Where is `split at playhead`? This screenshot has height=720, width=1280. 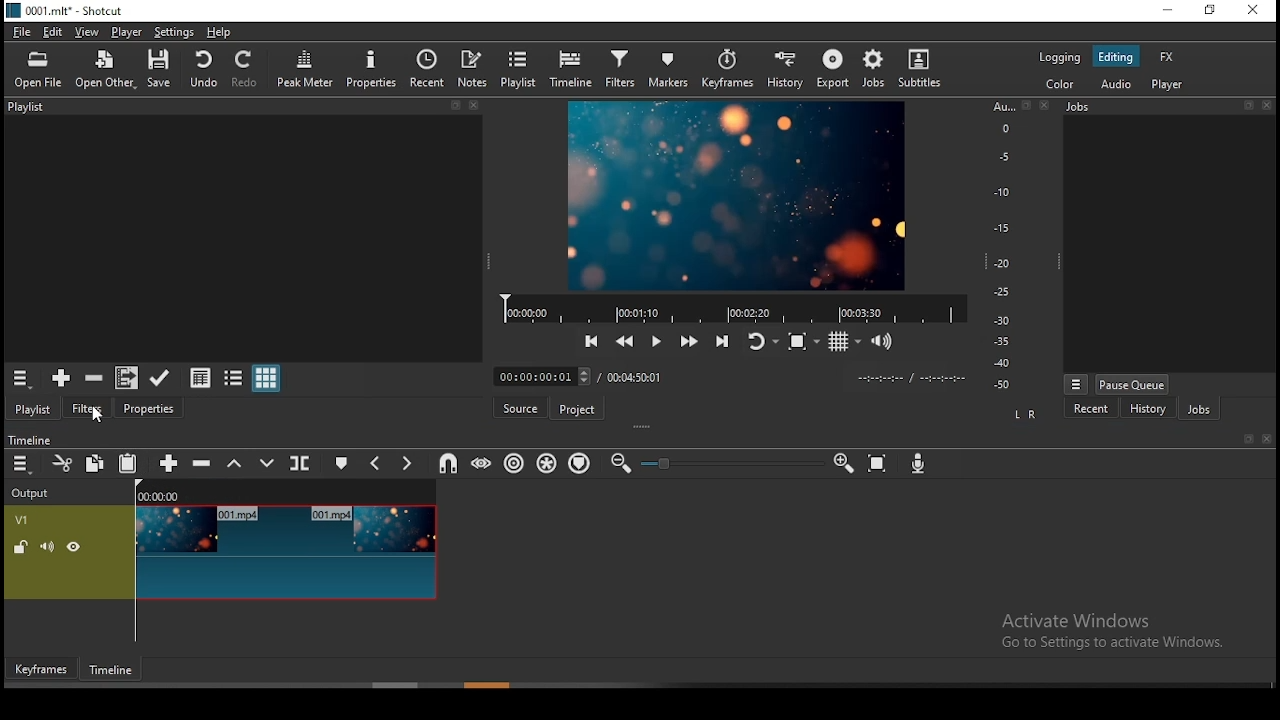
split at playhead is located at coordinates (300, 464).